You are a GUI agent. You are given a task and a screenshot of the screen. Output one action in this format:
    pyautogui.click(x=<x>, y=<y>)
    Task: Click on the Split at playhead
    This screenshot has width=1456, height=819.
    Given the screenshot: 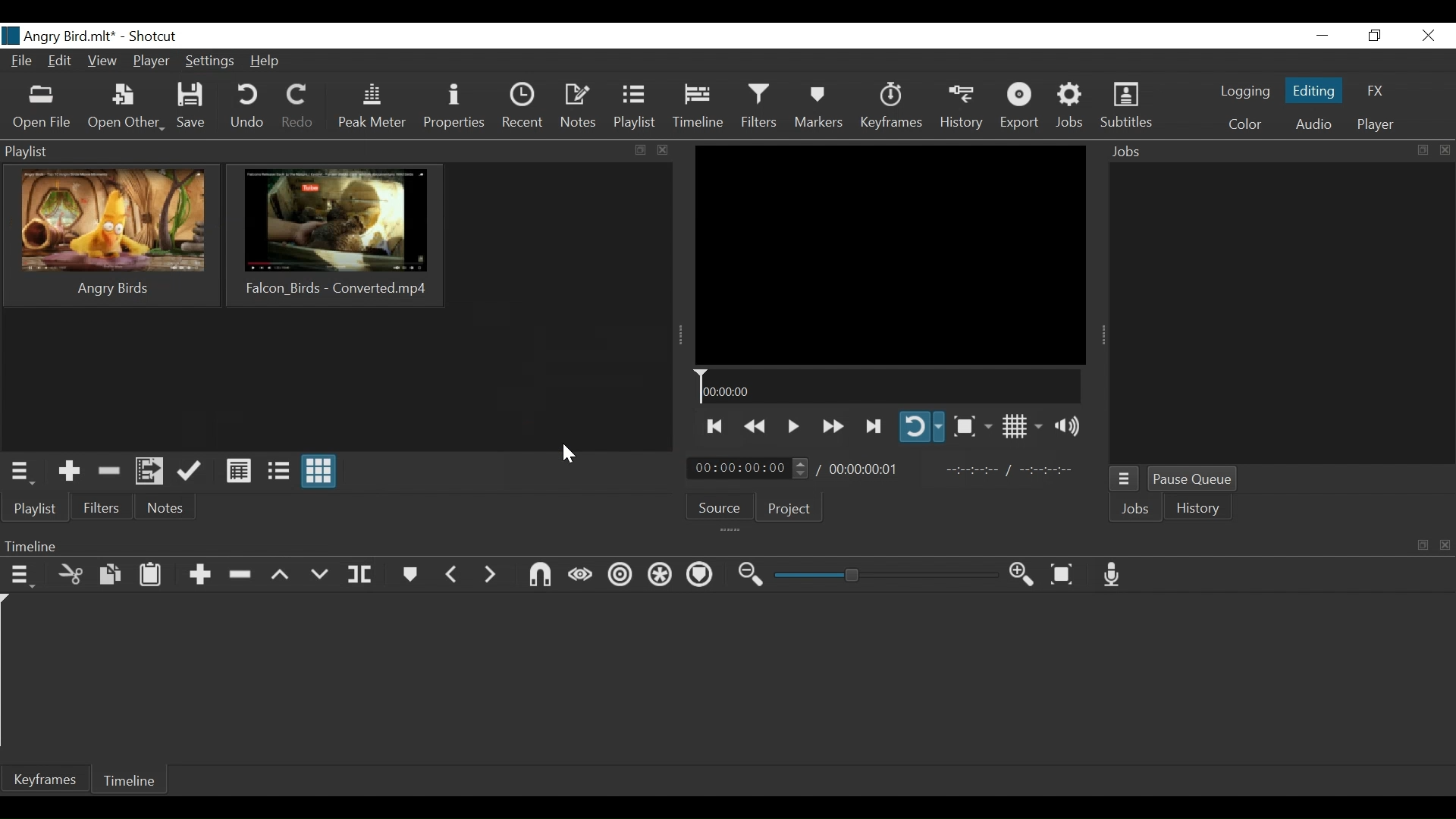 What is the action you would take?
    pyautogui.click(x=361, y=577)
    